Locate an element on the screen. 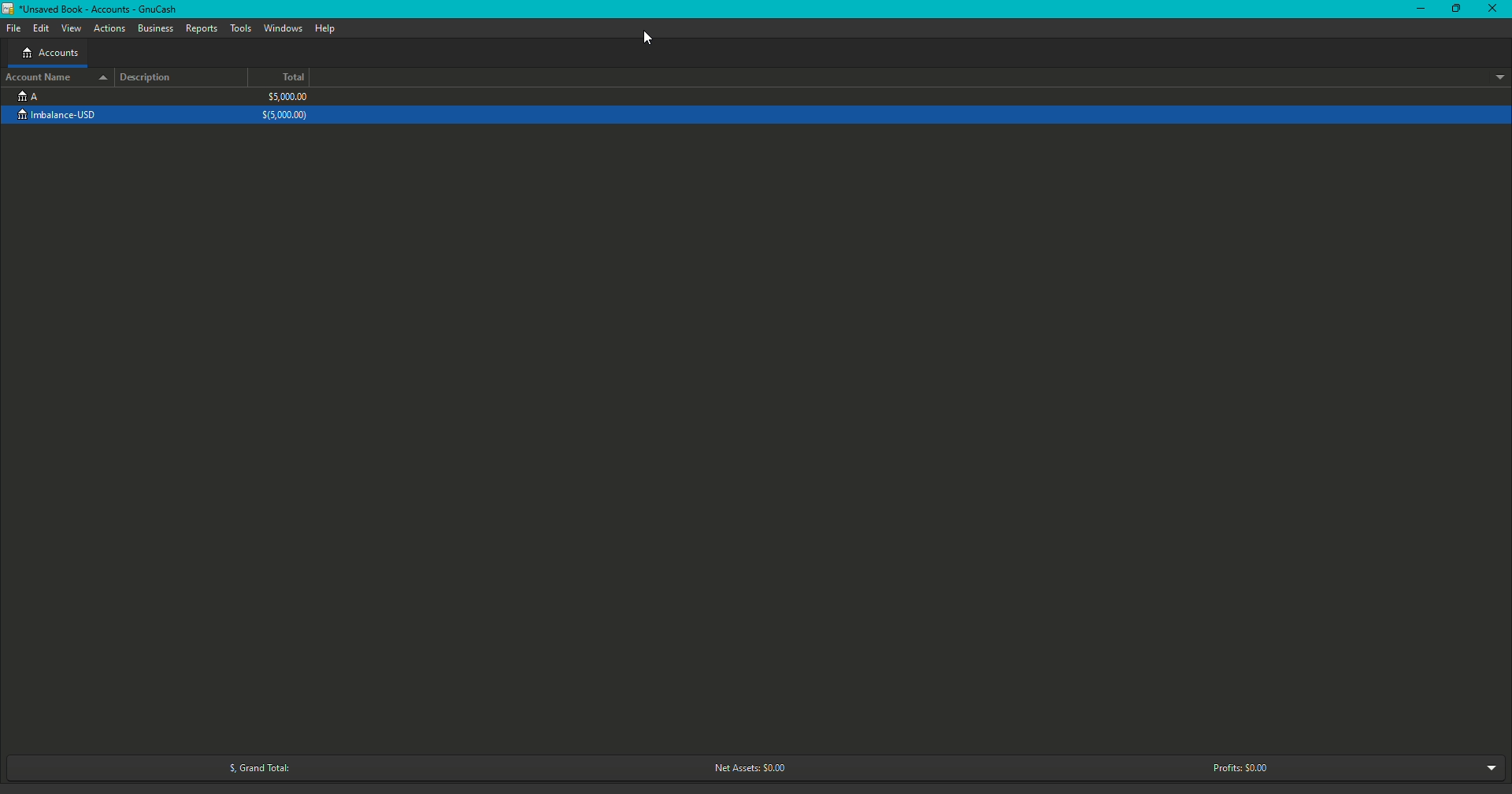 The width and height of the screenshot is (1512, 794). Profits is located at coordinates (1240, 767).